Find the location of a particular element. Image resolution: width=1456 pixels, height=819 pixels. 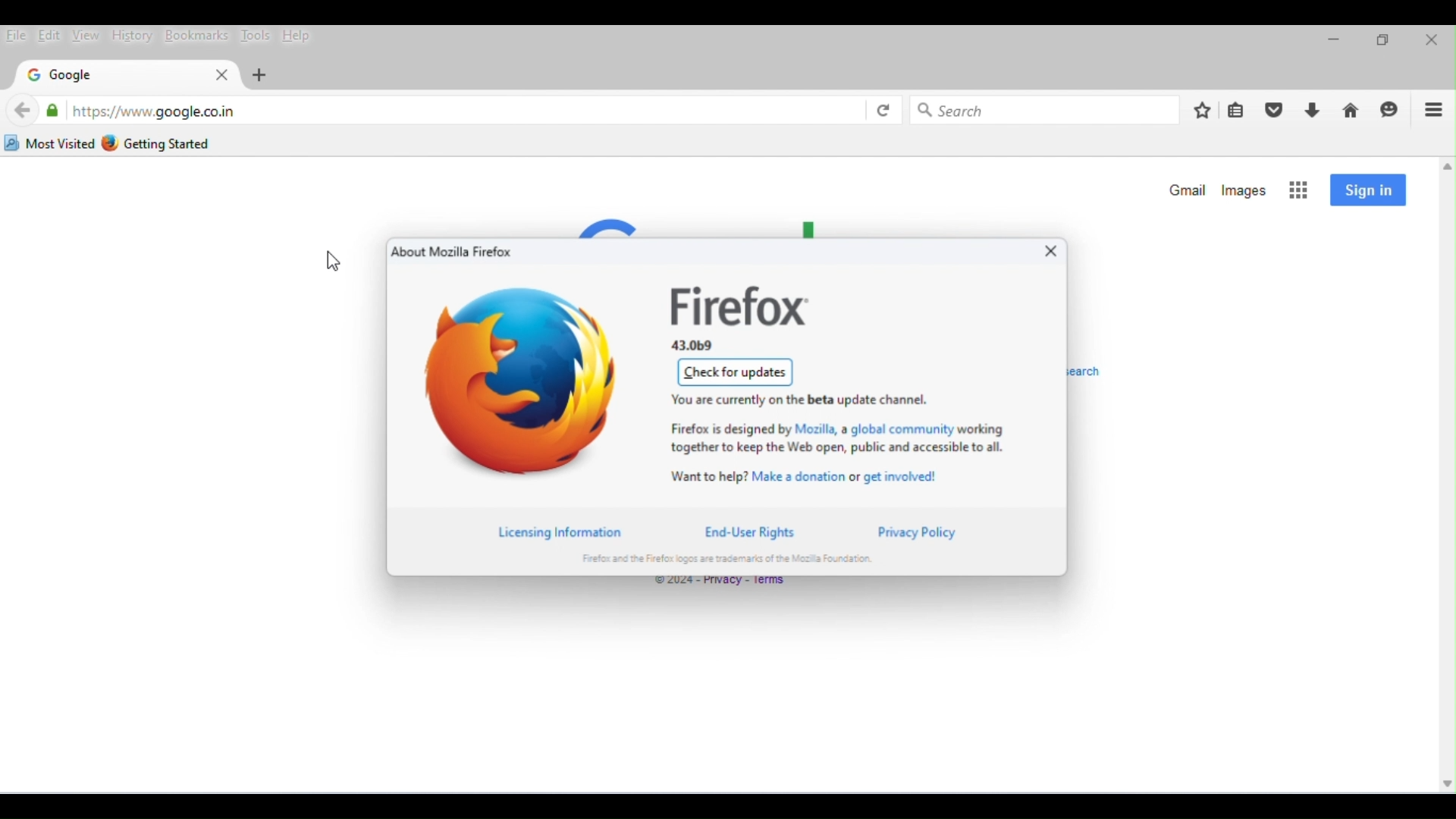

back is located at coordinates (23, 111).